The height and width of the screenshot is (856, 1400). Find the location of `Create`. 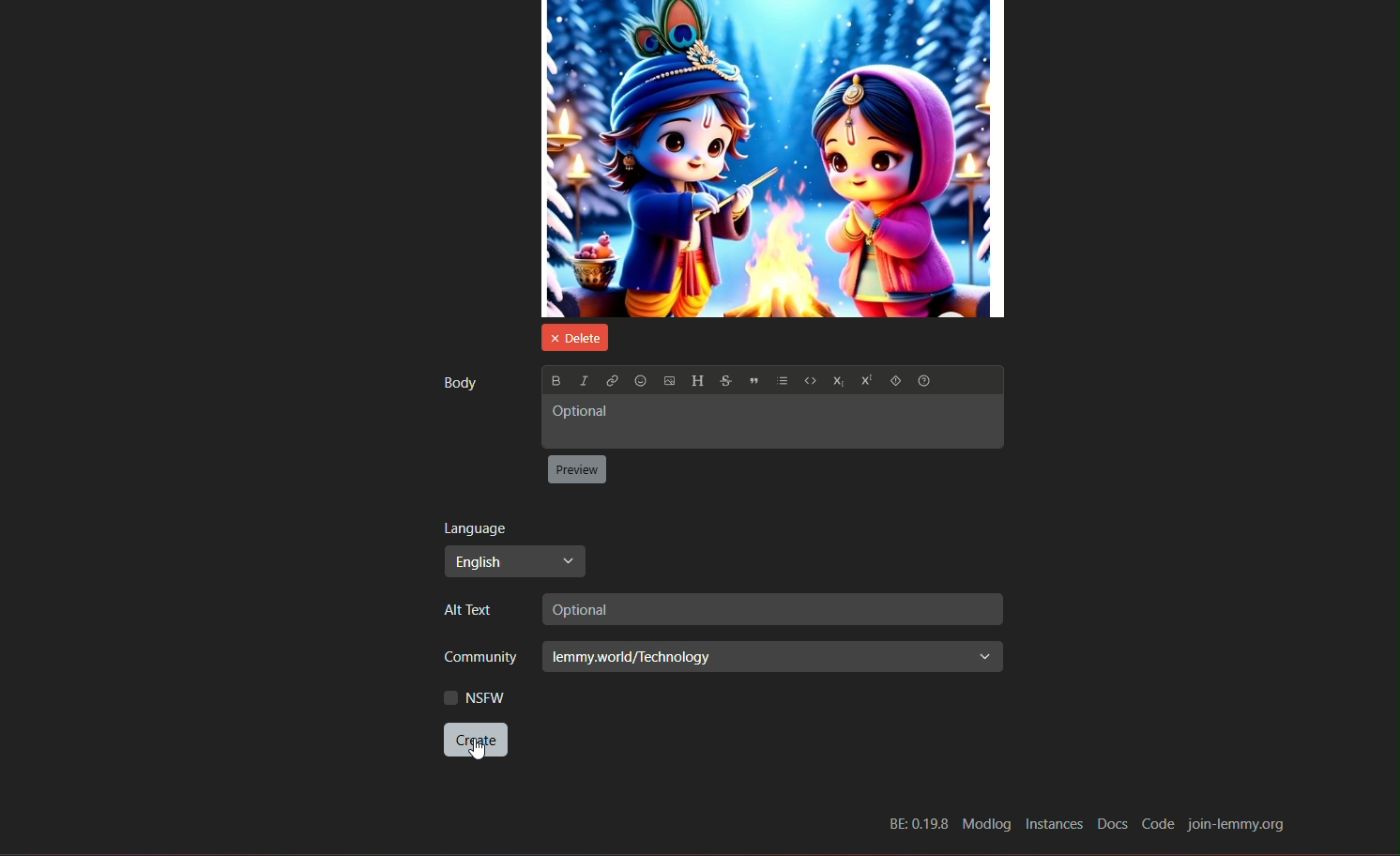

Create is located at coordinates (474, 741).